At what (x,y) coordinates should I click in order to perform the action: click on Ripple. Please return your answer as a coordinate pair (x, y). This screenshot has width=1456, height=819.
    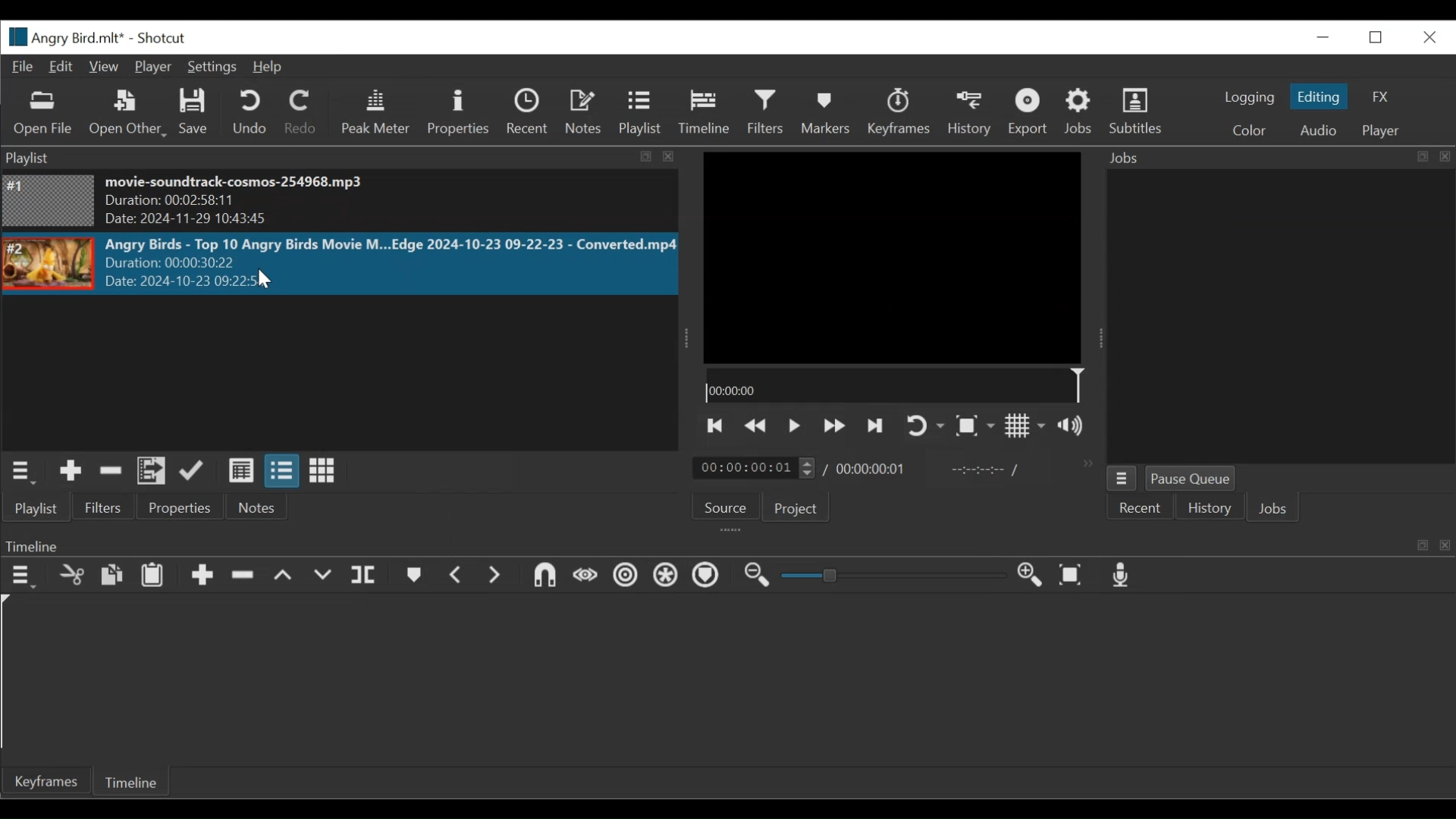
    Looking at the image, I should click on (625, 578).